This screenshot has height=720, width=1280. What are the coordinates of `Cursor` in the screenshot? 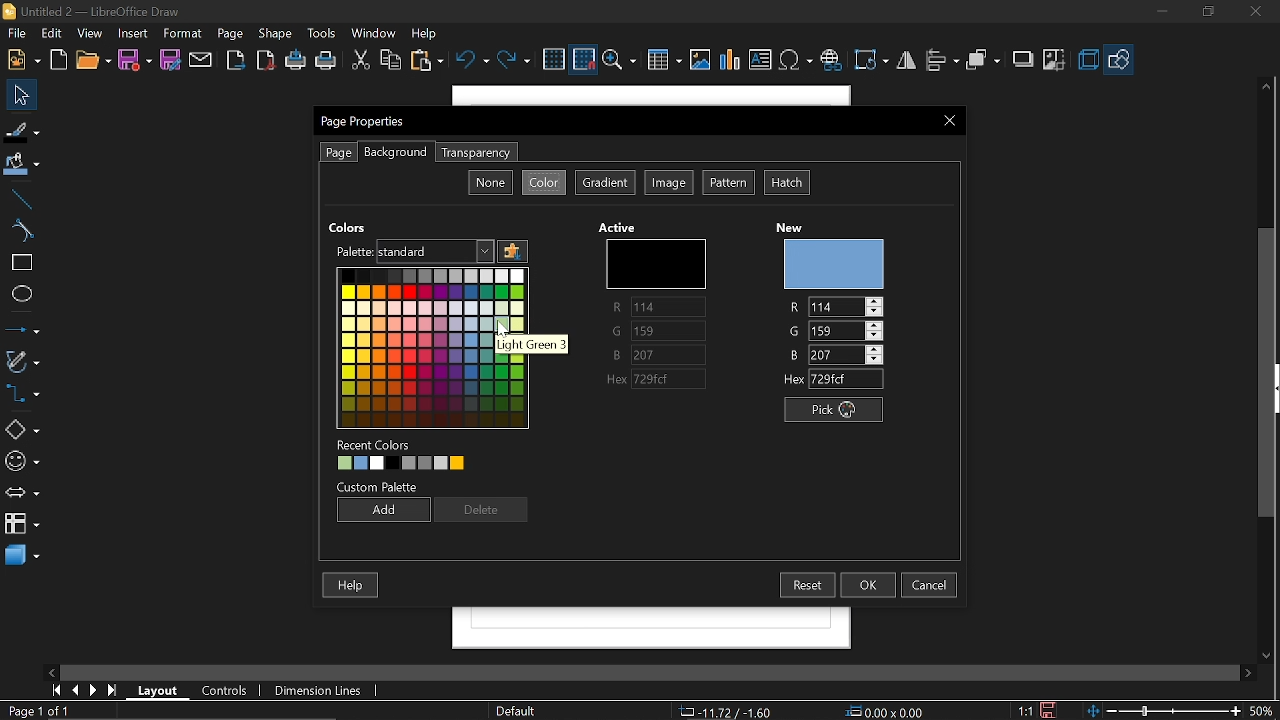 It's located at (501, 332).